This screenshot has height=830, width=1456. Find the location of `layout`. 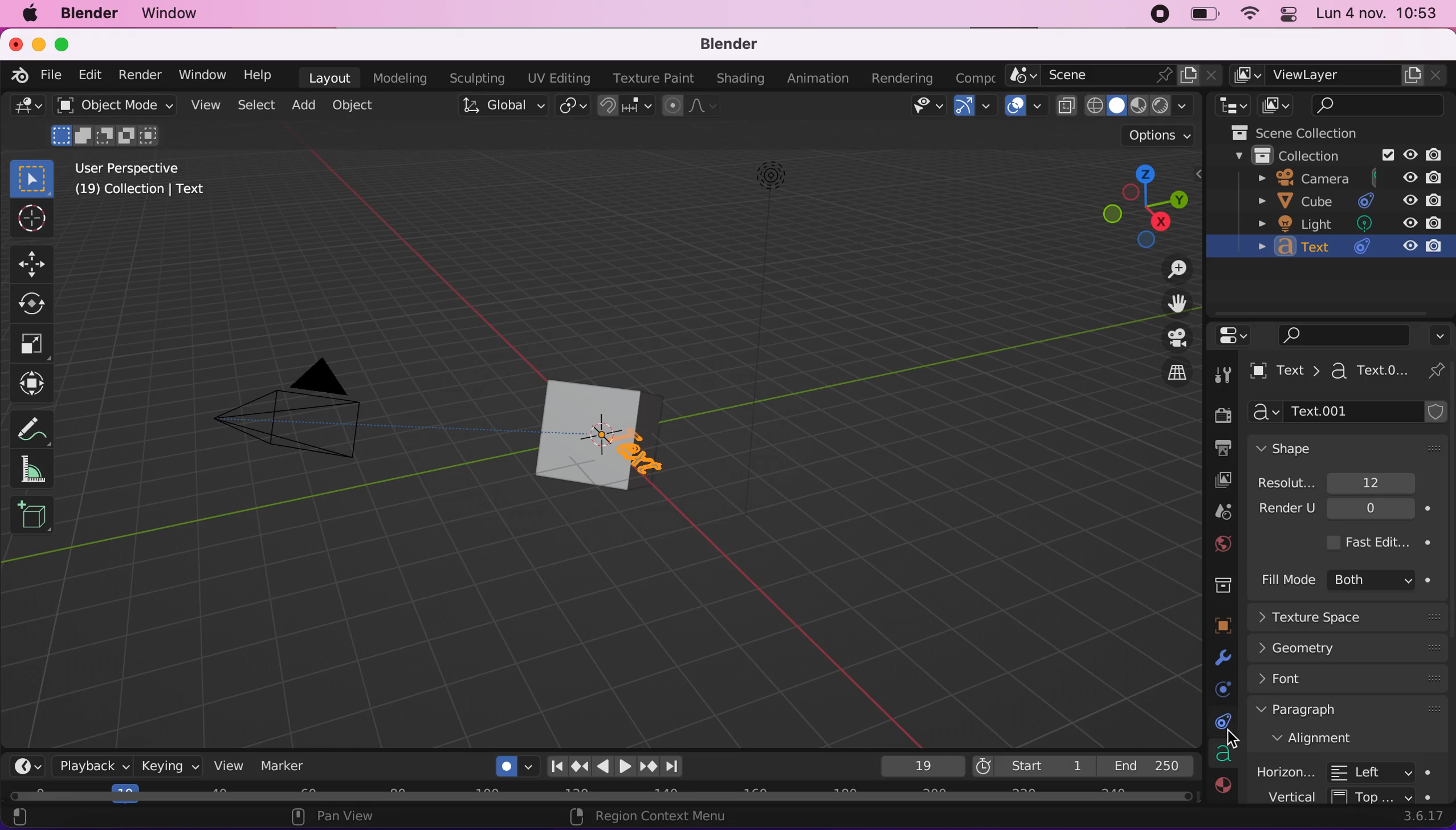

layout is located at coordinates (331, 76).